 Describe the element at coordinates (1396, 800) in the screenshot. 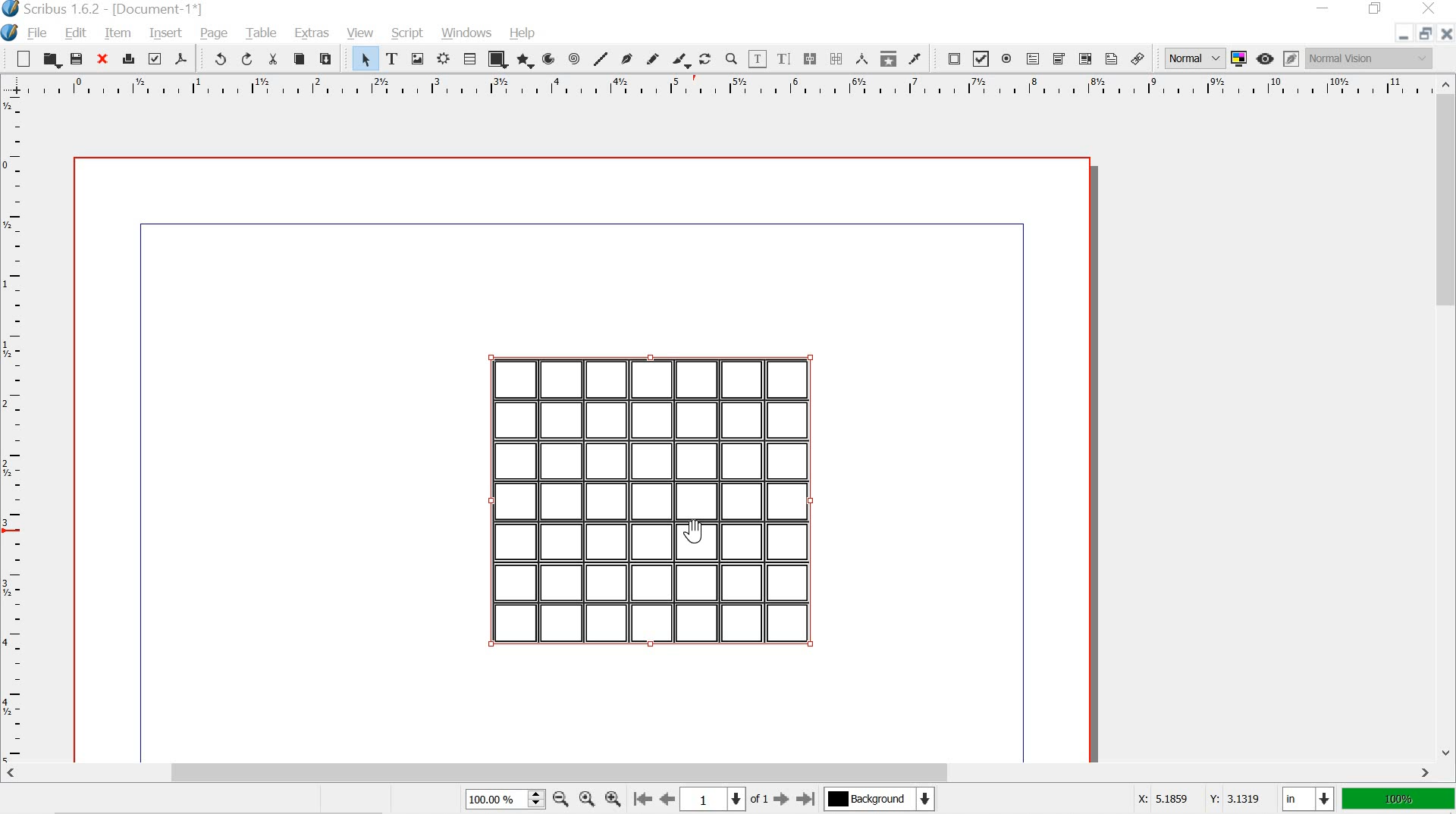

I see `100%` at that location.